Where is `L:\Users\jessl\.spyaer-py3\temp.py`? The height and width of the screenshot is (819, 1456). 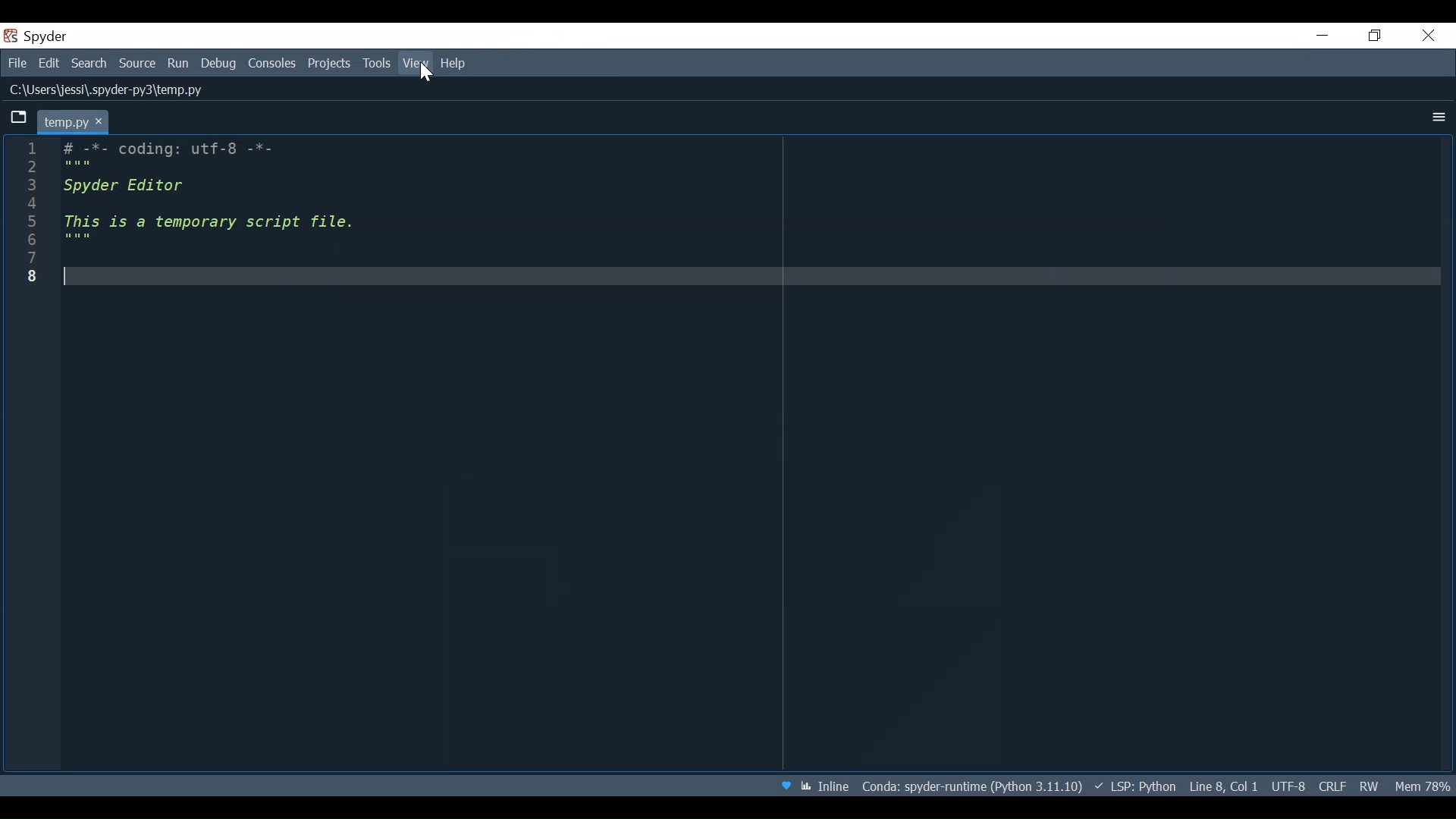
L:\Users\jessl\.spyaer-py3\temp.py is located at coordinates (124, 93).